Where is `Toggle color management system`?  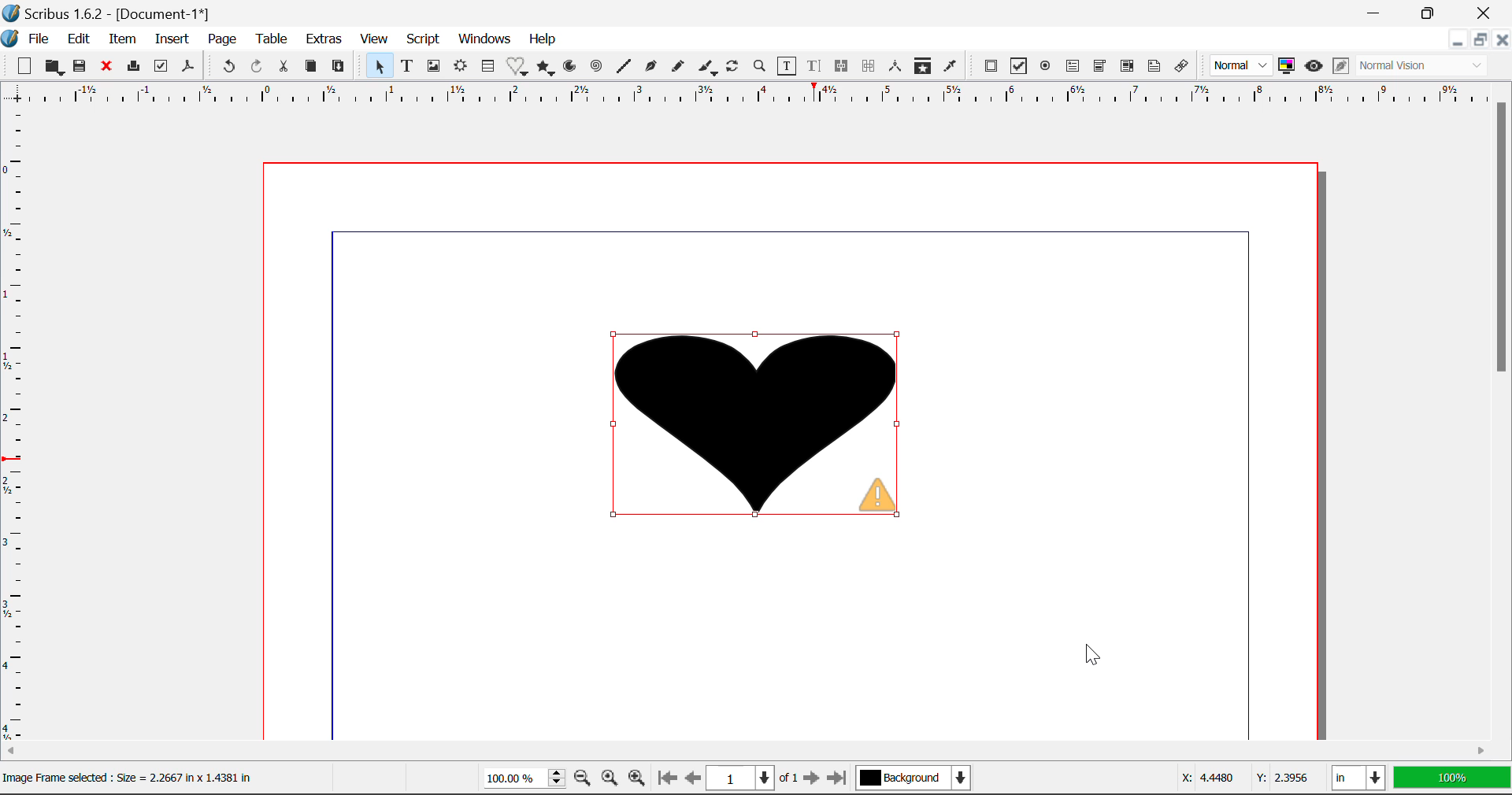 Toggle color management system is located at coordinates (1287, 67).